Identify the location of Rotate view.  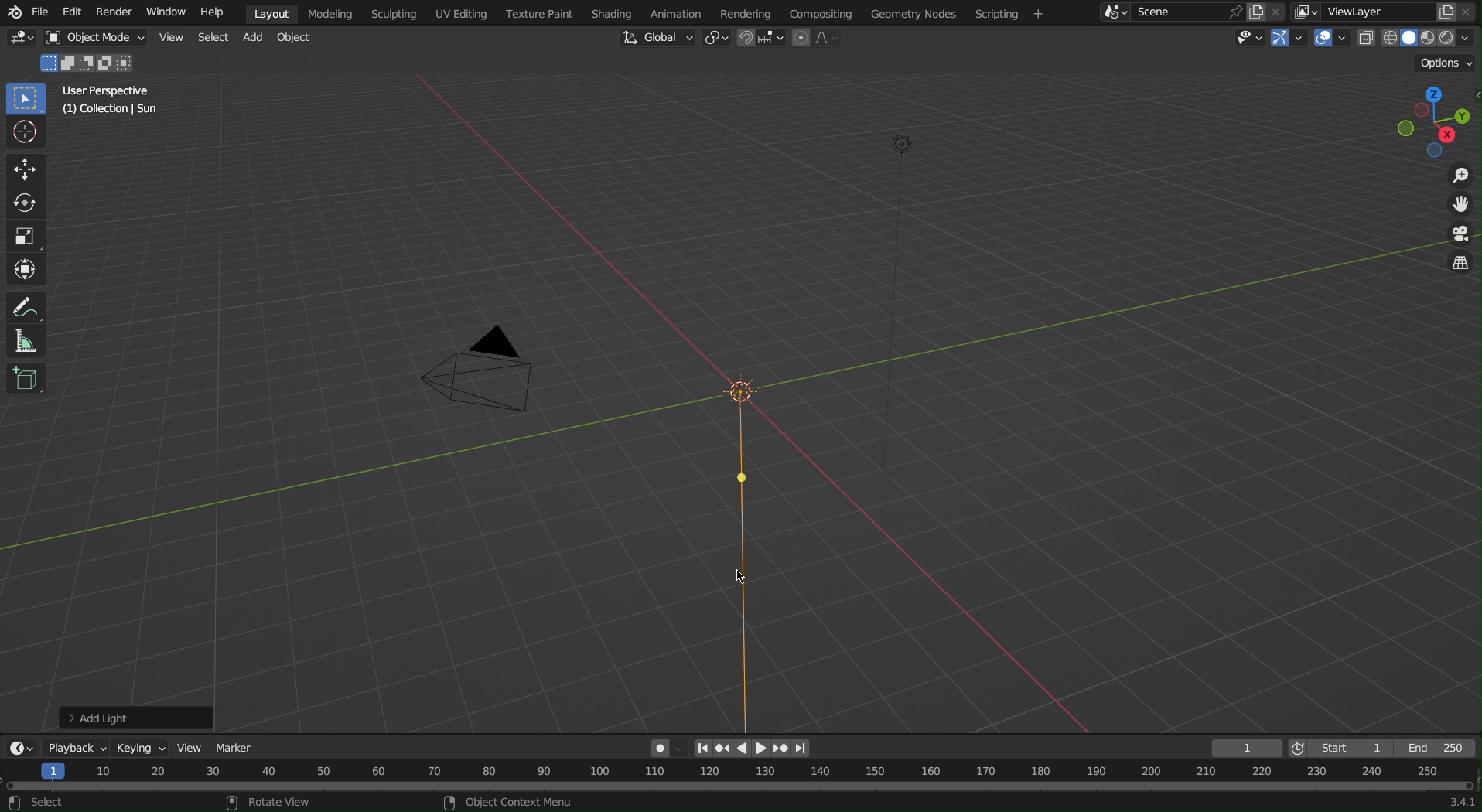
(286, 802).